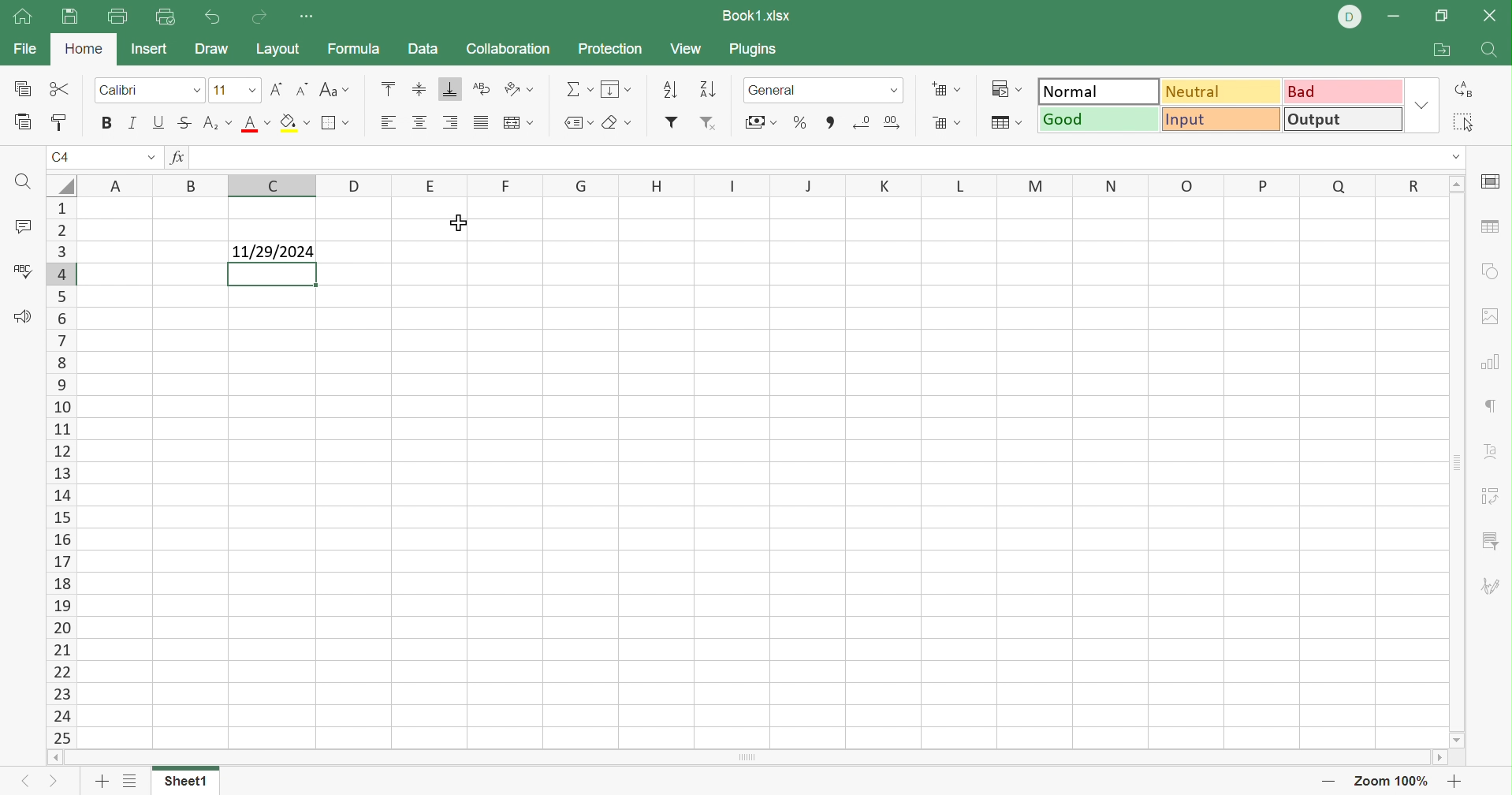 This screenshot has height=795, width=1512. What do you see at coordinates (210, 50) in the screenshot?
I see `Draw` at bounding box center [210, 50].